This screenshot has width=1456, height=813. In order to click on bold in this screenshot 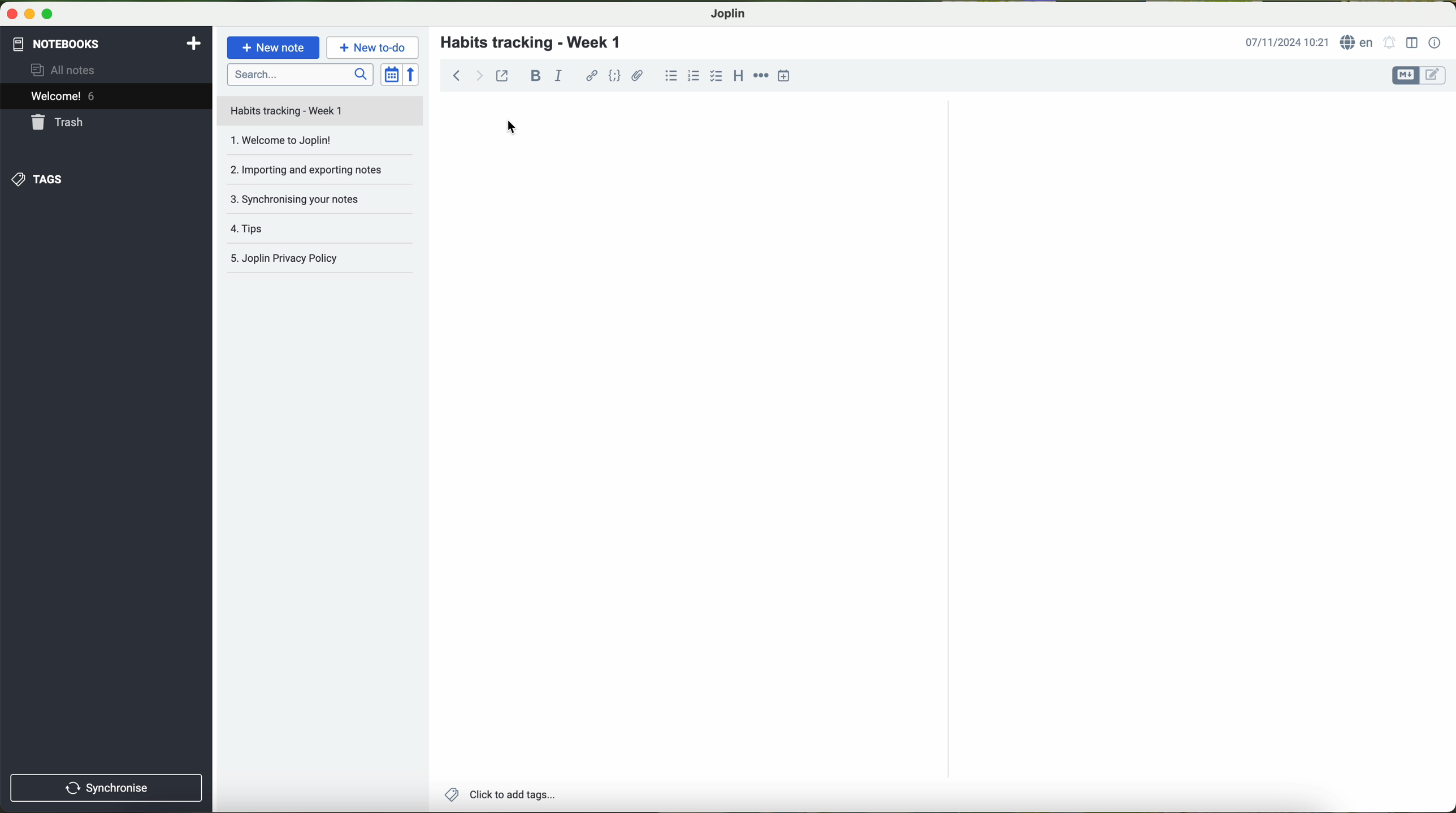, I will do `click(536, 76)`.